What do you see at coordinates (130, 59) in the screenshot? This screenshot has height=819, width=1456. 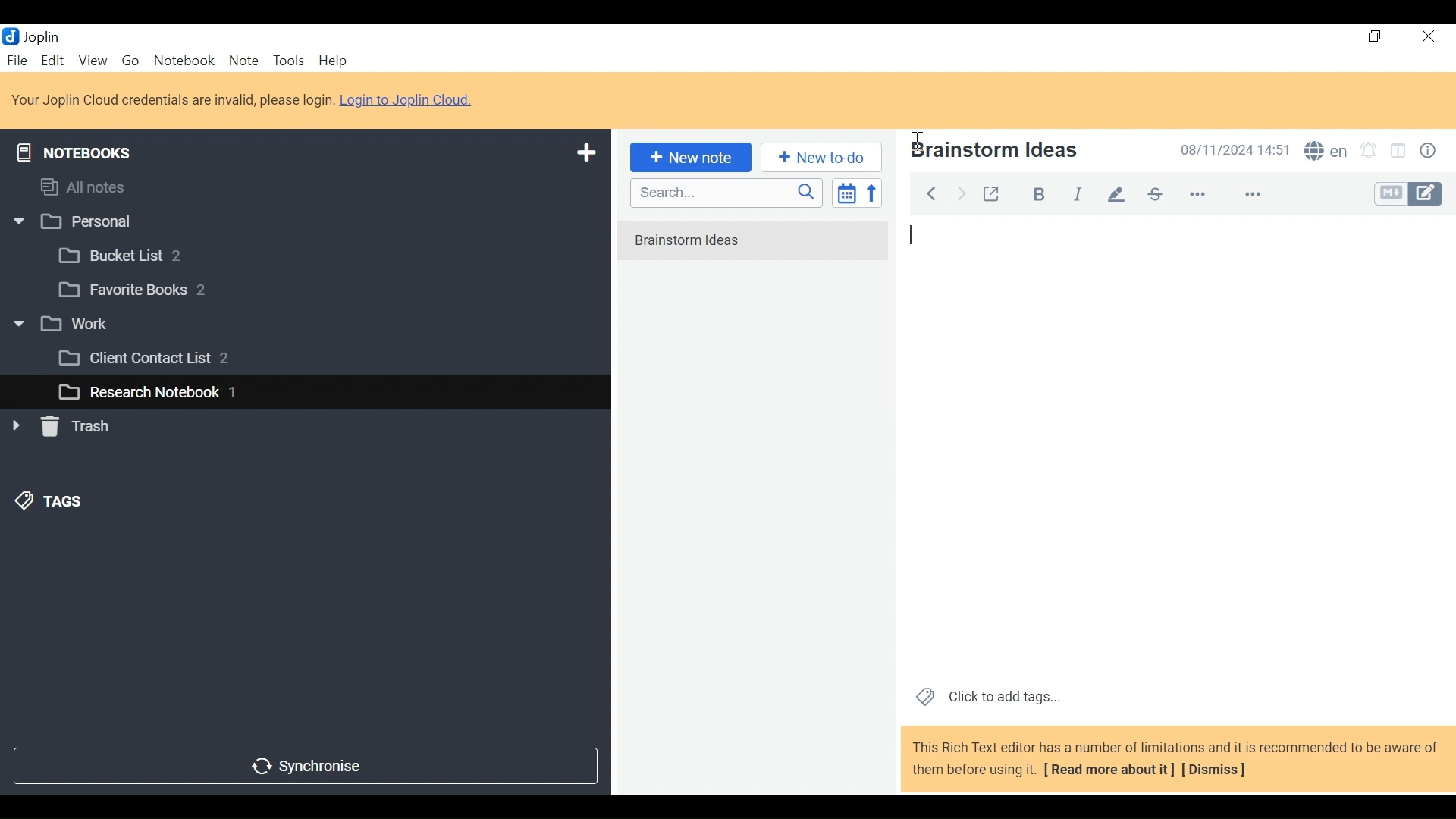 I see `Go` at bounding box center [130, 59].